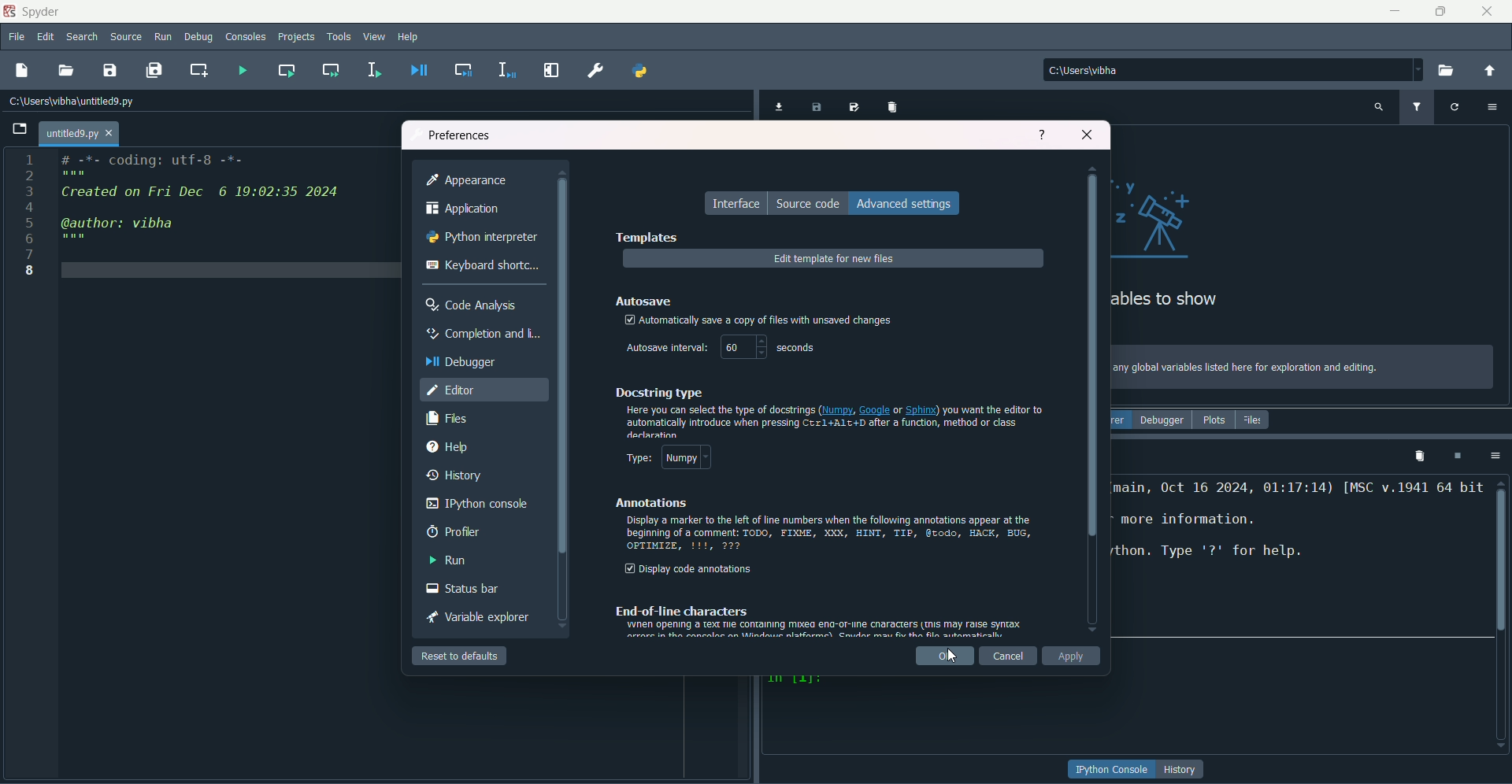 The width and height of the screenshot is (1512, 784). Describe the element at coordinates (475, 305) in the screenshot. I see `code analysis` at that location.